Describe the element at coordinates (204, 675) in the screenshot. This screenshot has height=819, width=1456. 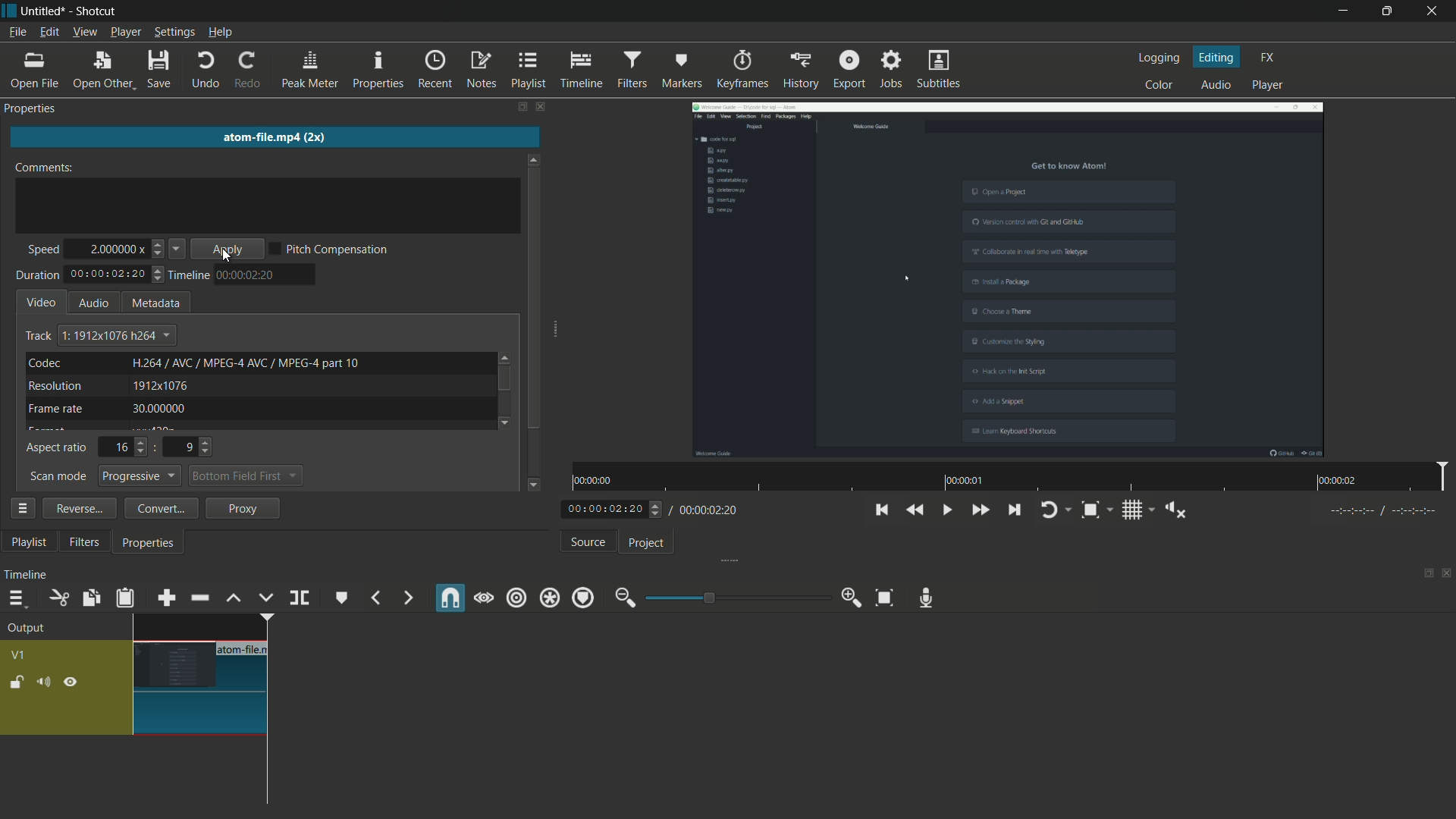
I see `video in timeline` at that location.